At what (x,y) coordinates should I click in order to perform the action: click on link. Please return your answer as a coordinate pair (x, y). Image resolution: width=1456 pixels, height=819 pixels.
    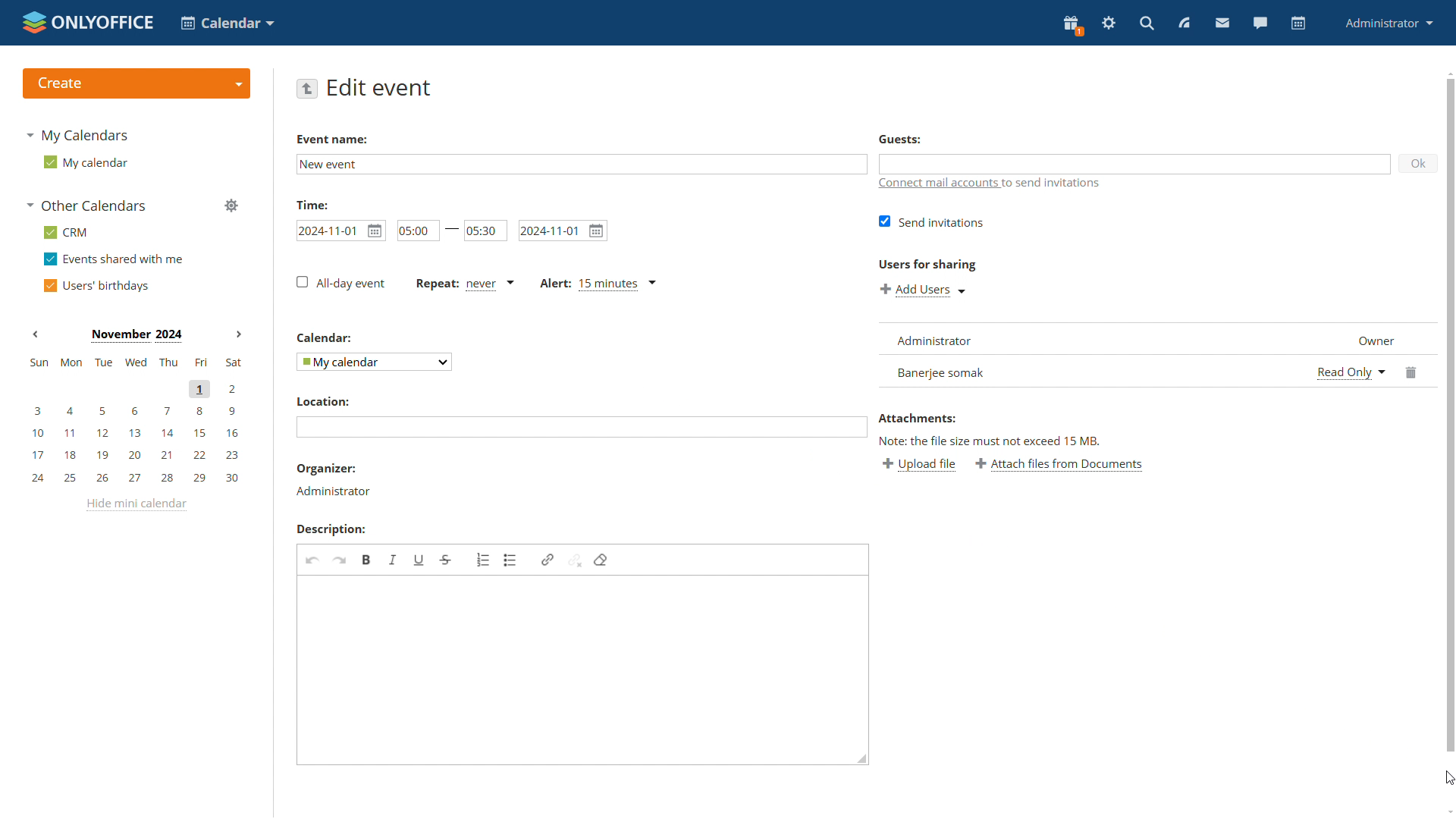
    Looking at the image, I should click on (547, 560).